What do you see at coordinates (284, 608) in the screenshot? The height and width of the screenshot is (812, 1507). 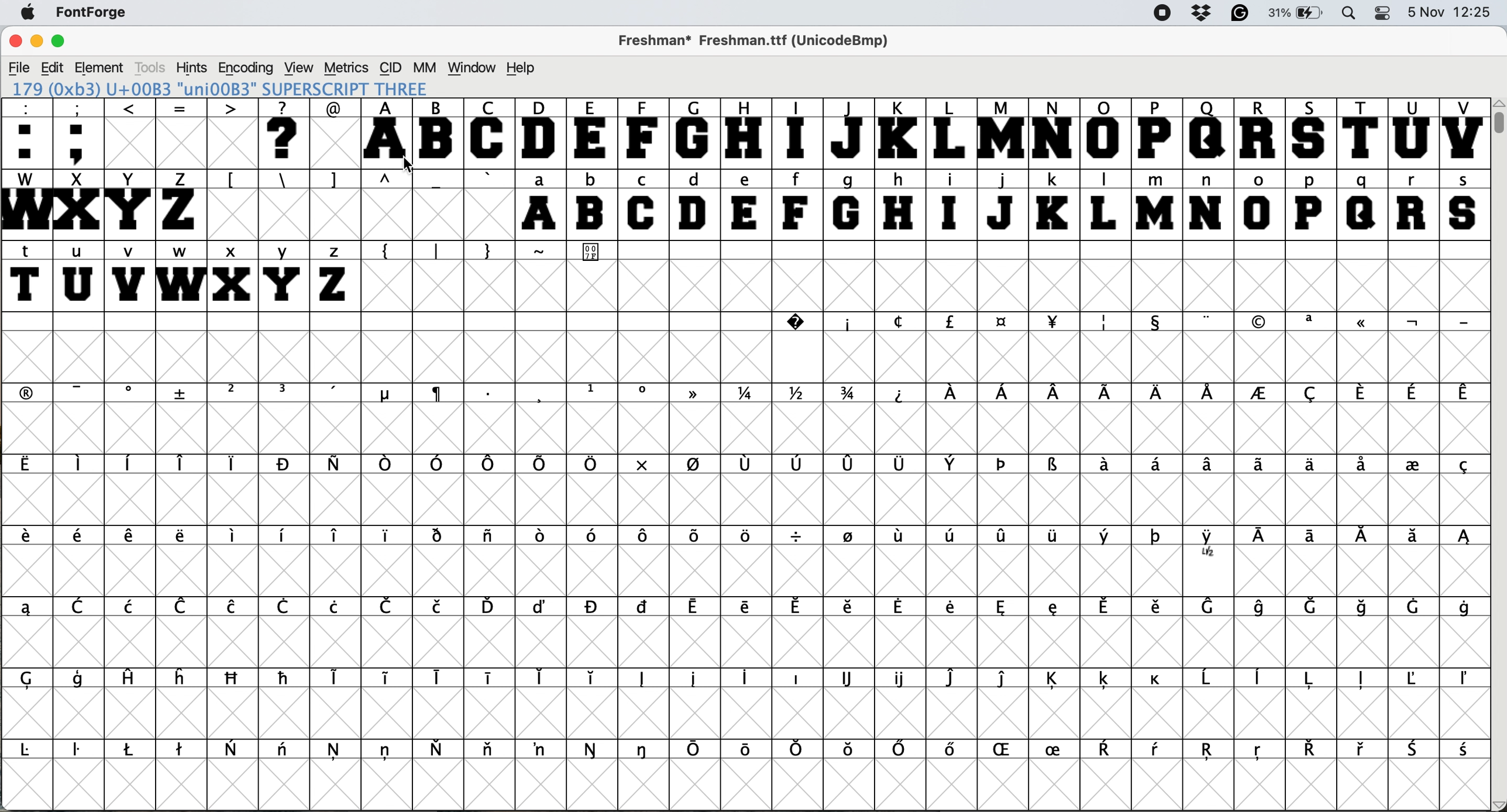 I see `symbol` at bounding box center [284, 608].